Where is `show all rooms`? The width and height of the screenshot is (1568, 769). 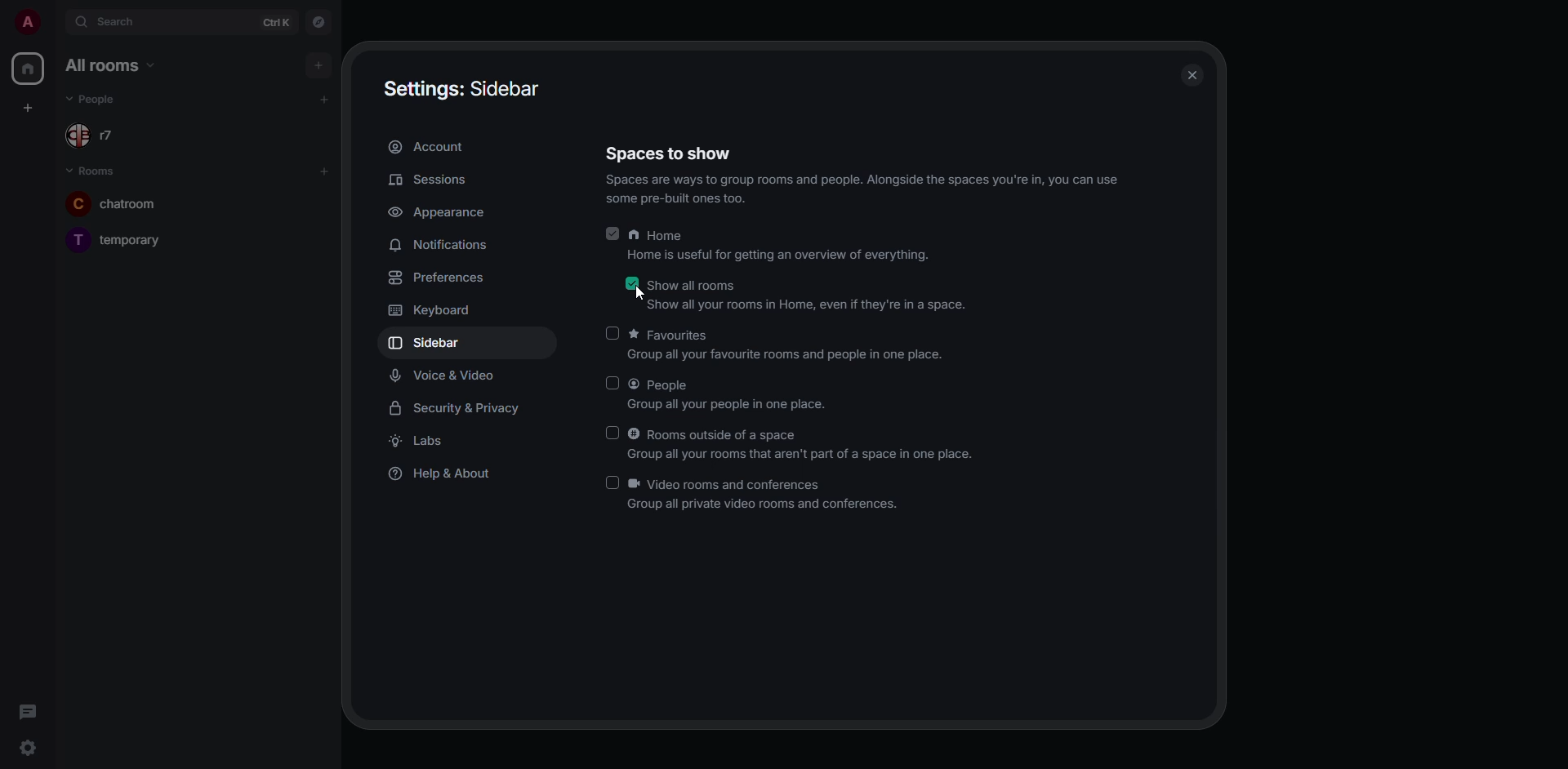 show all rooms is located at coordinates (808, 296).